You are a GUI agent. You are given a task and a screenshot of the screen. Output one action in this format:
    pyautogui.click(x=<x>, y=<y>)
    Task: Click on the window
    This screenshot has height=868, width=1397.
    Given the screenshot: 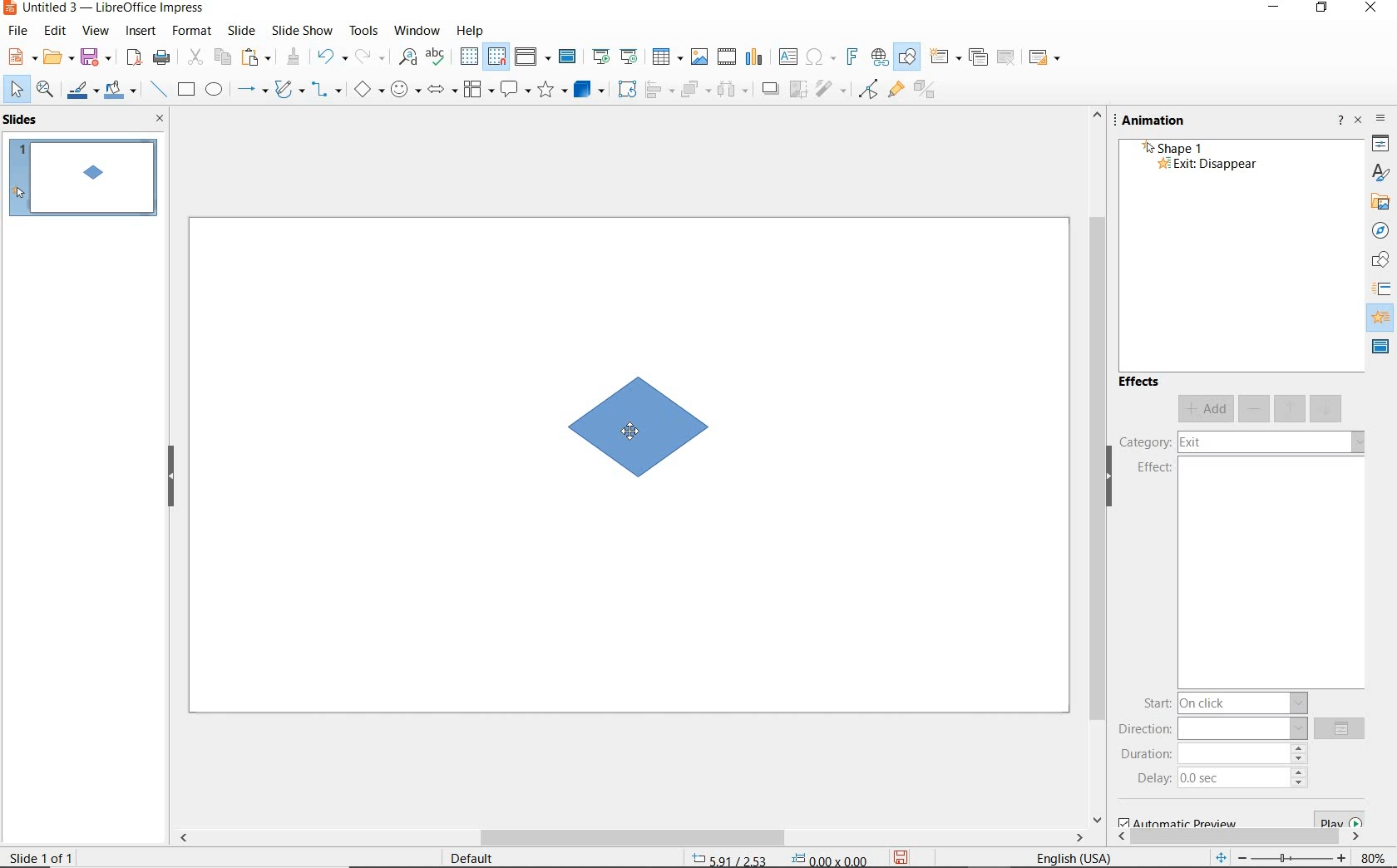 What is the action you would take?
    pyautogui.click(x=419, y=32)
    